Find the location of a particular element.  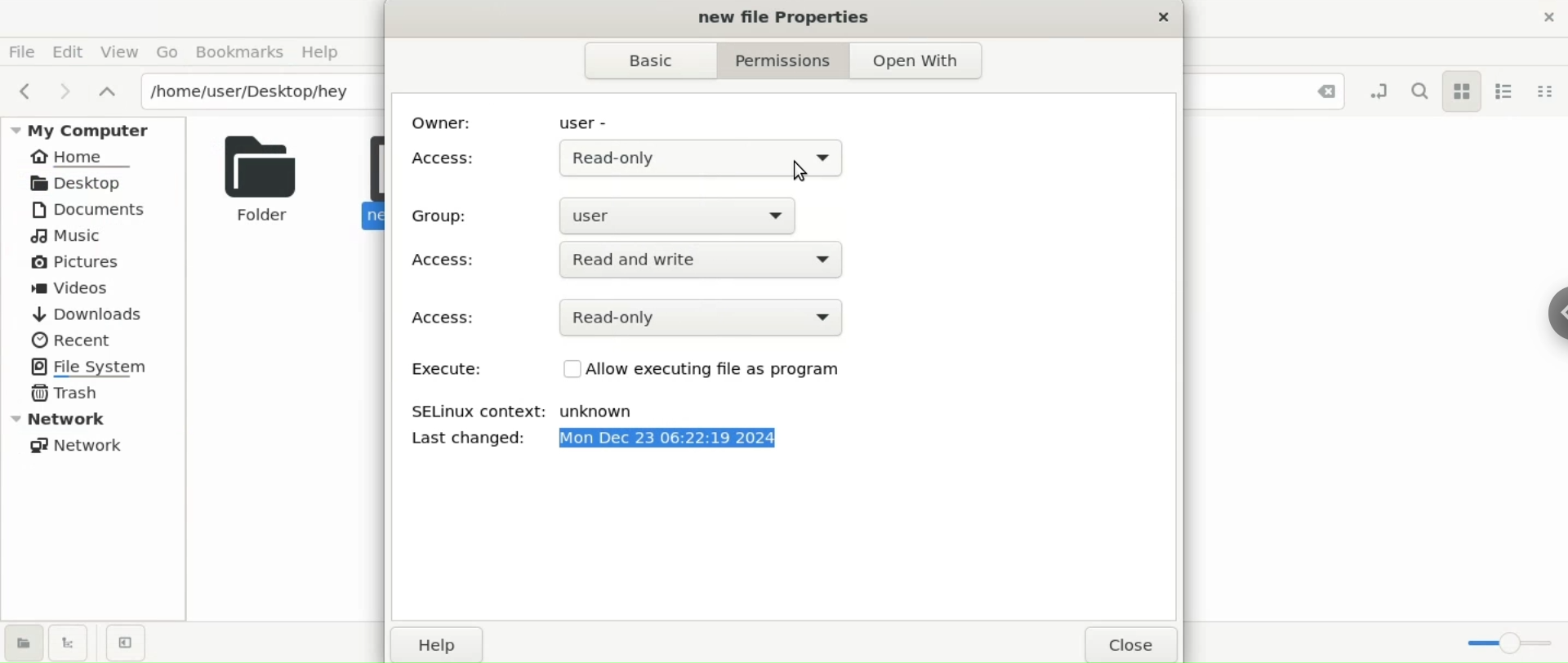

Pictures is located at coordinates (77, 263).